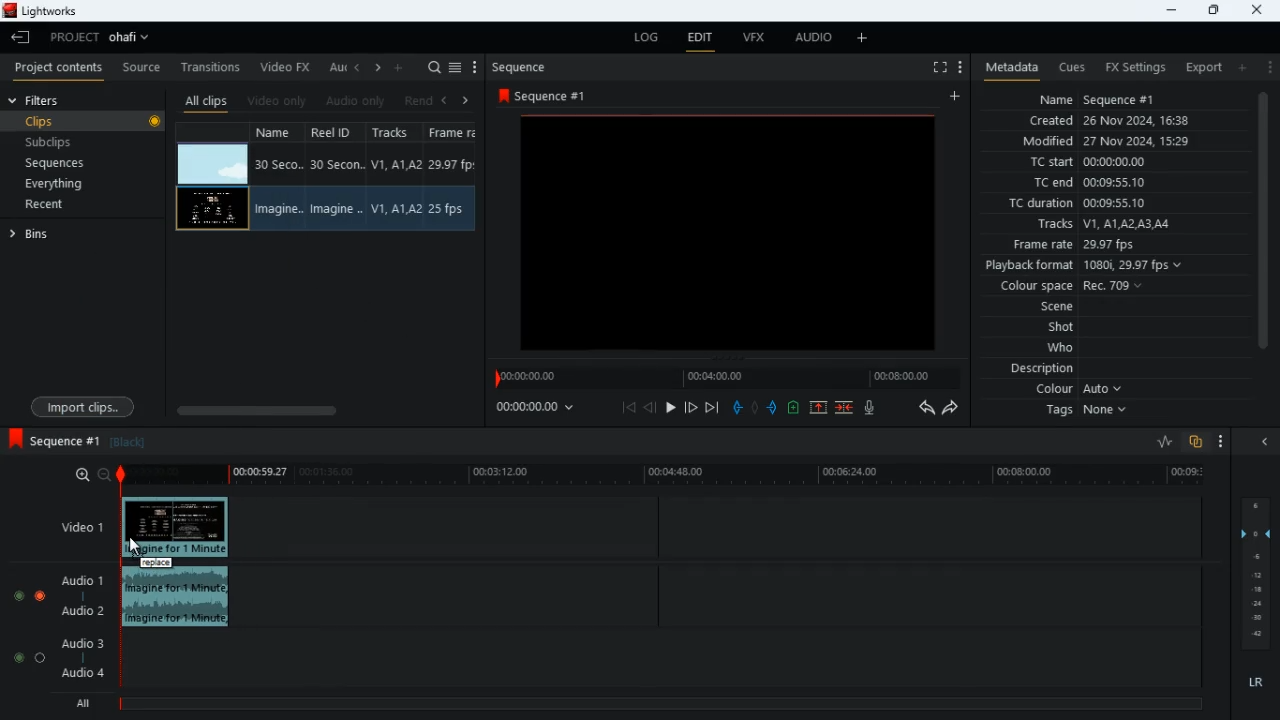 This screenshot has width=1280, height=720. What do you see at coordinates (724, 377) in the screenshot?
I see `timeline` at bounding box center [724, 377].